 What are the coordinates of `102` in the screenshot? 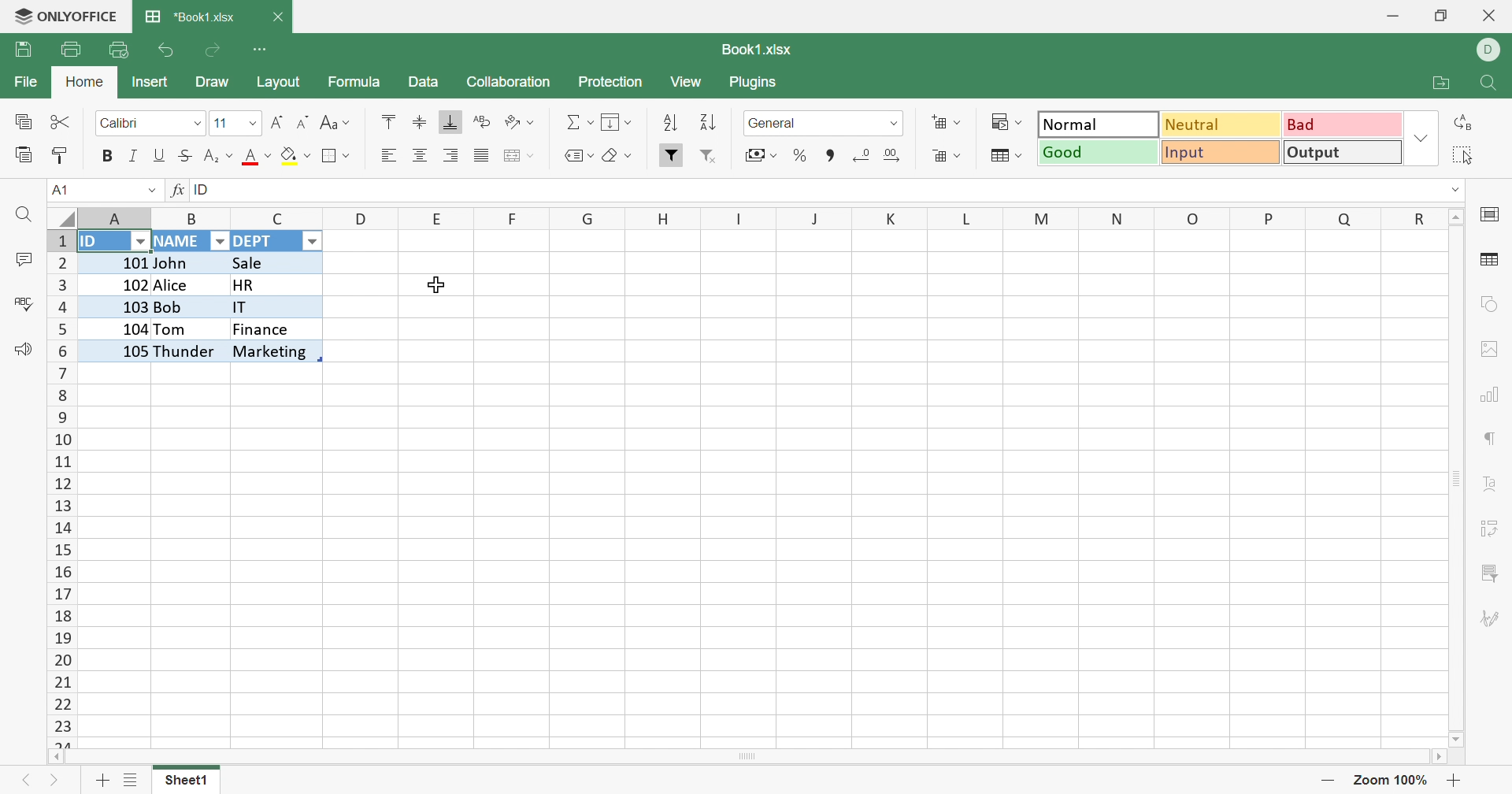 It's located at (120, 283).